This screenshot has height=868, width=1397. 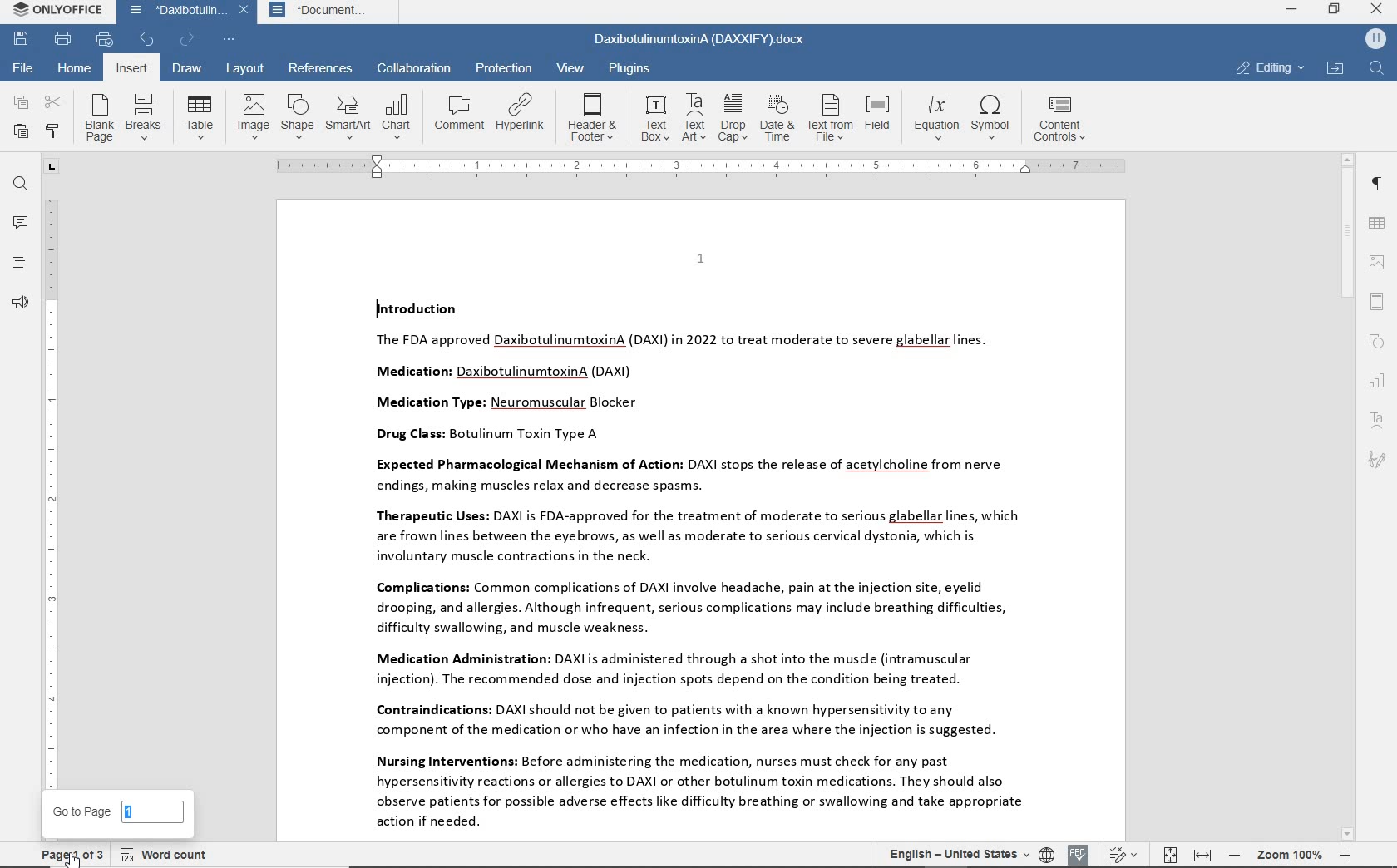 What do you see at coordinates (521, 112) in the screenshot?
I see `hyperlink` at bounding box center [521, 112].